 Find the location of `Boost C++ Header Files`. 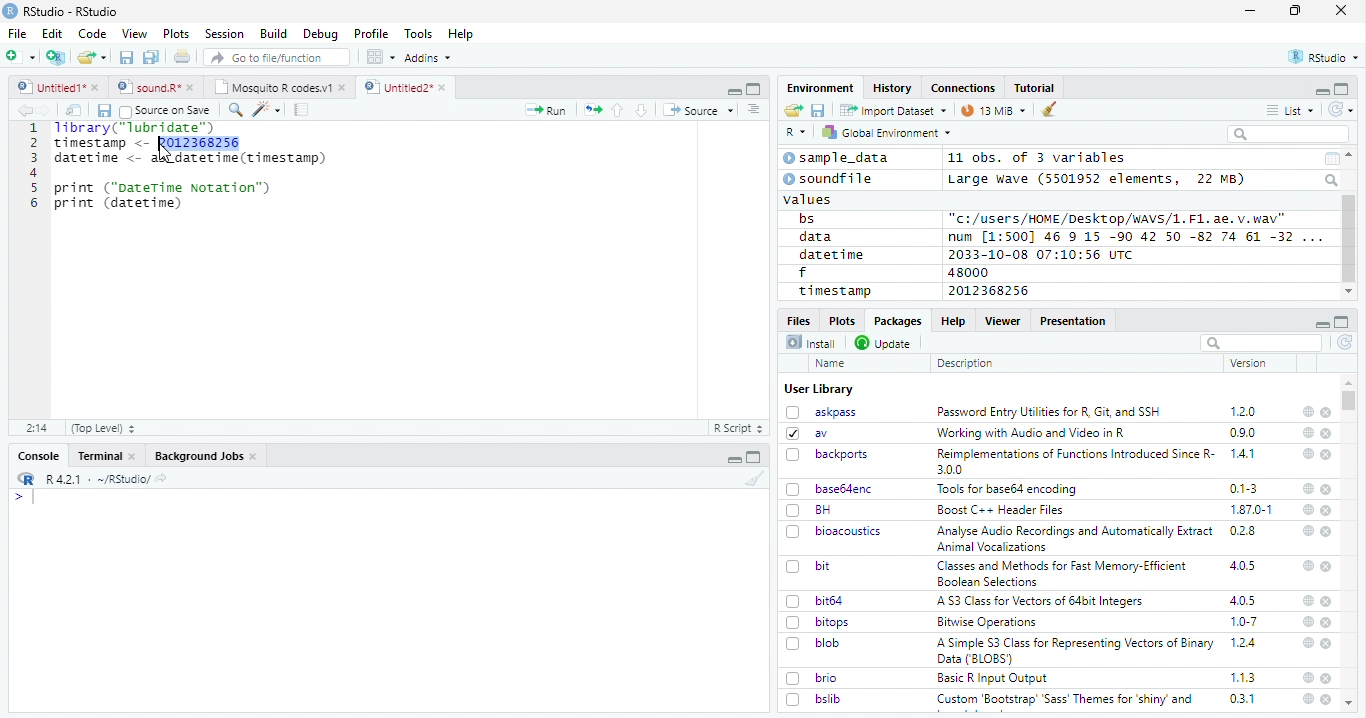

Boost C++ Header Files is located at coordinates (998, 511).